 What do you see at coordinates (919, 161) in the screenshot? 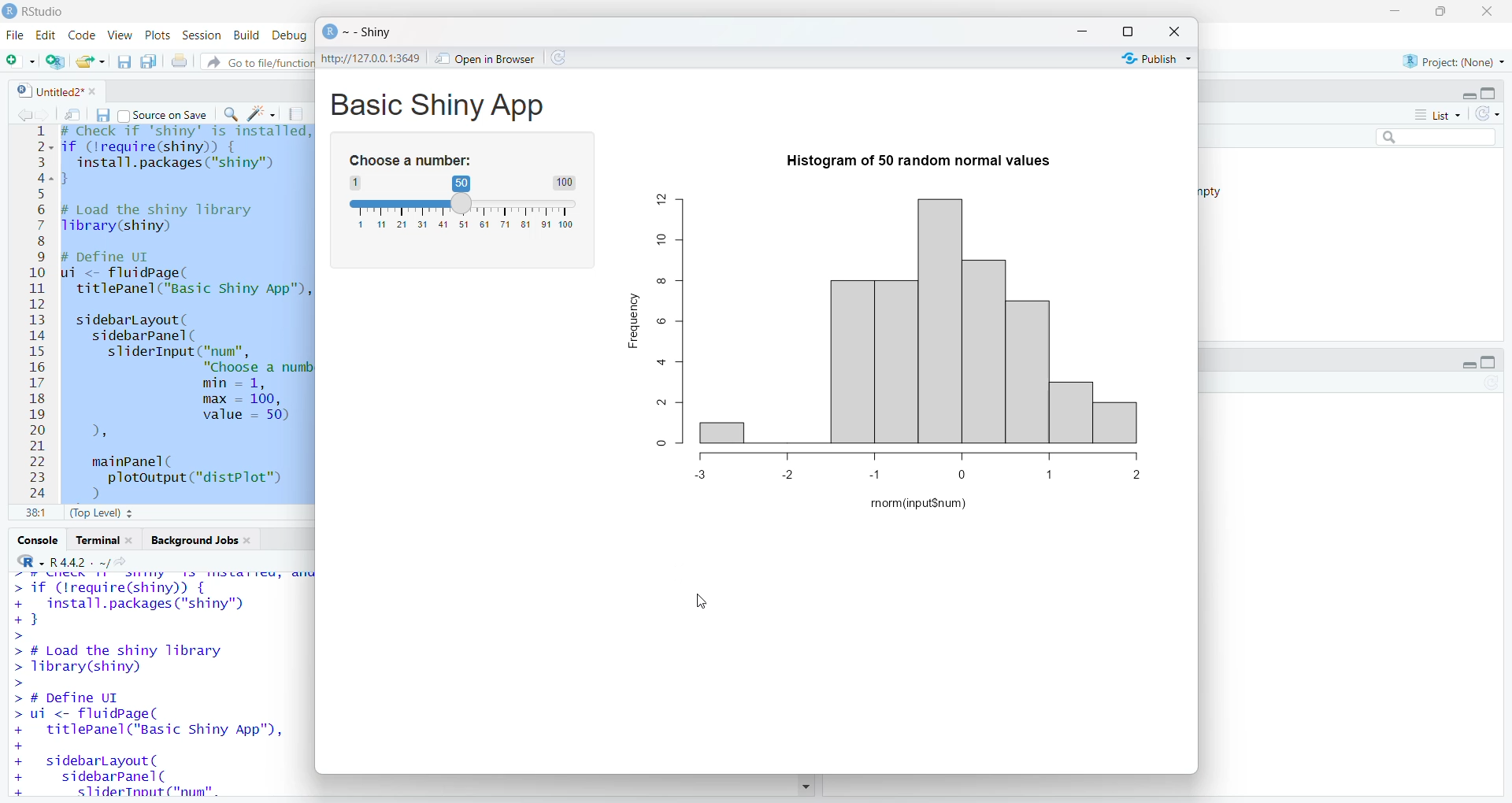
I see `Histogram of 50 random normal values` at bounding box center [919, 161].